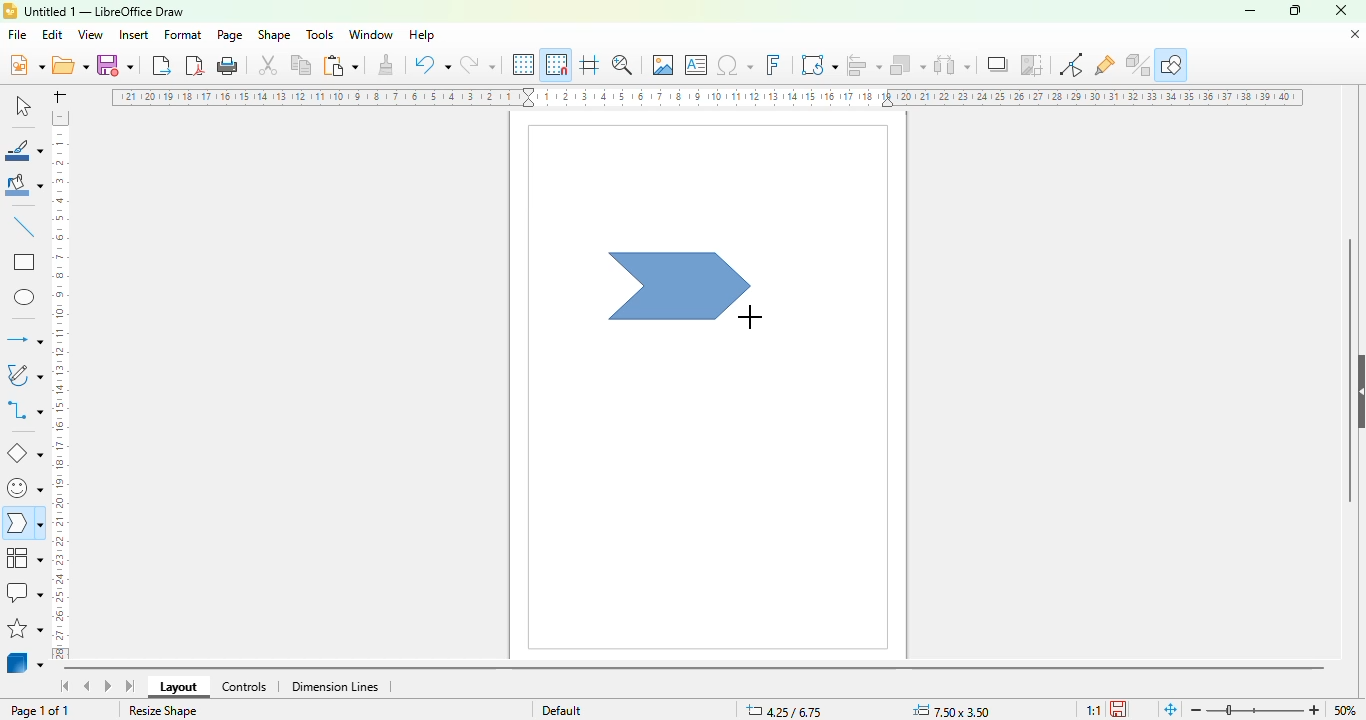 Image resolution: width=1366 pixels, height=720 pixels. What do you see at coordinates (1118, 709) in the screenshot?
I see `click to save the document` at bounding box center [1118, 709].